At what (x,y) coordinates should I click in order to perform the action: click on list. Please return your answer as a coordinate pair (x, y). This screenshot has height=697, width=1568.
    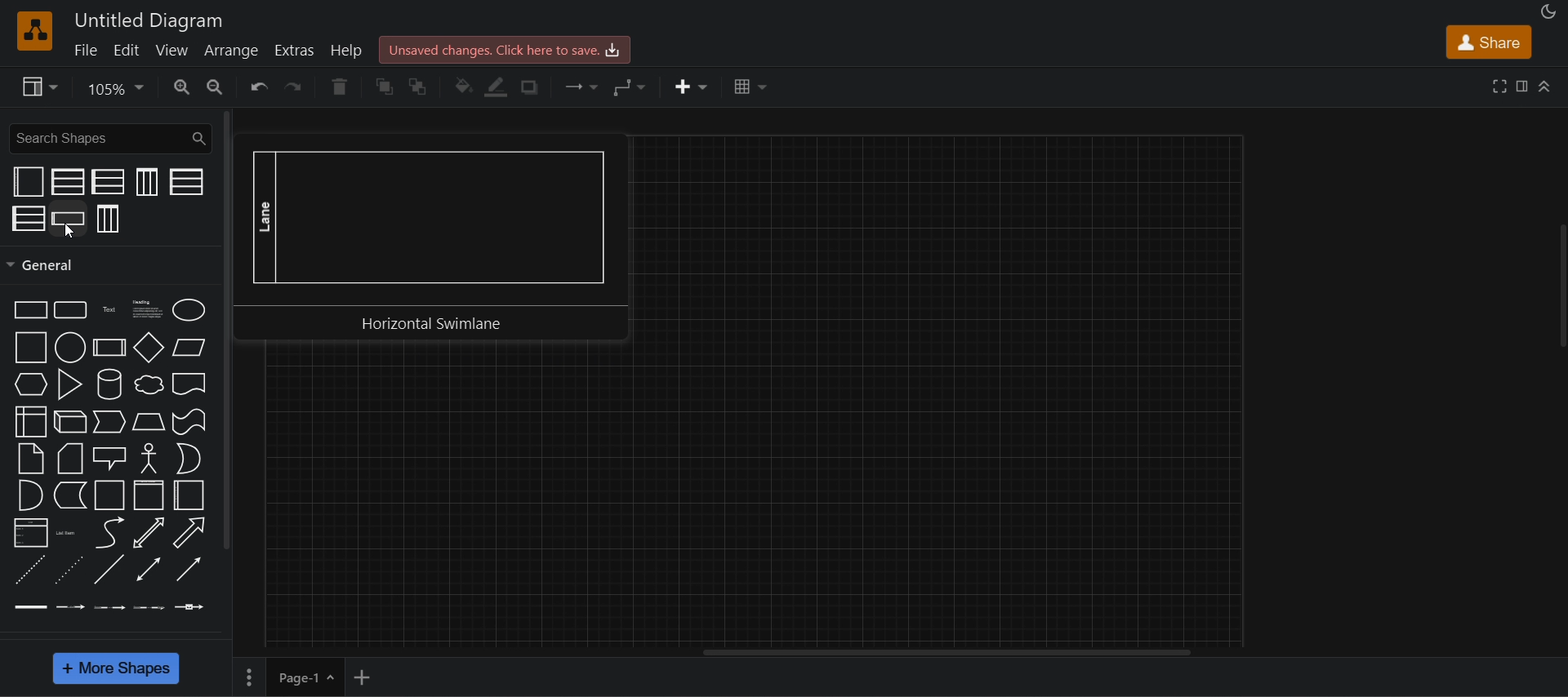
    Looking at the image, I should click on (30, 534).